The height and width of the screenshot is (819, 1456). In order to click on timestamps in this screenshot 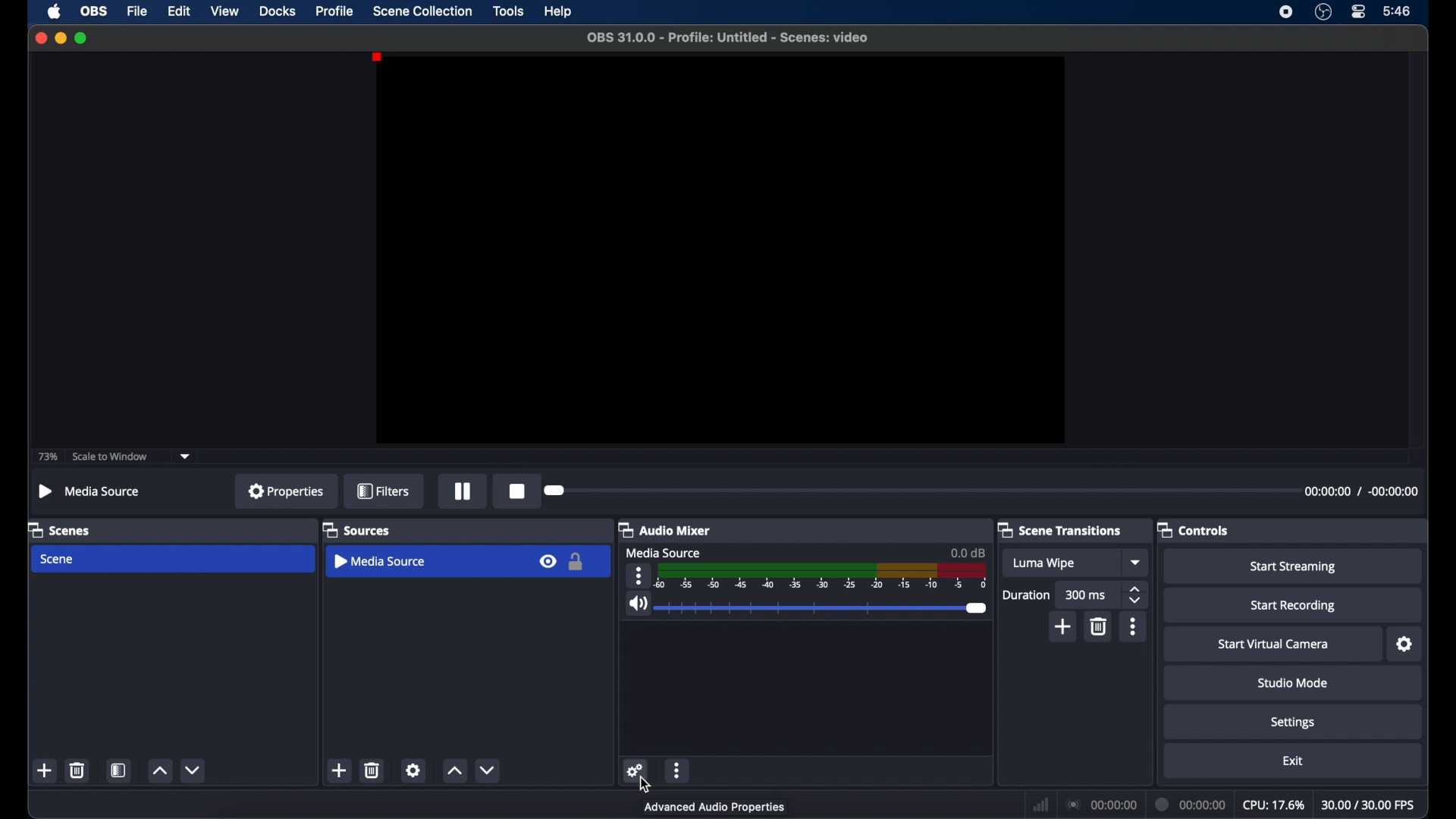, I will do `click(1361, 491)`.